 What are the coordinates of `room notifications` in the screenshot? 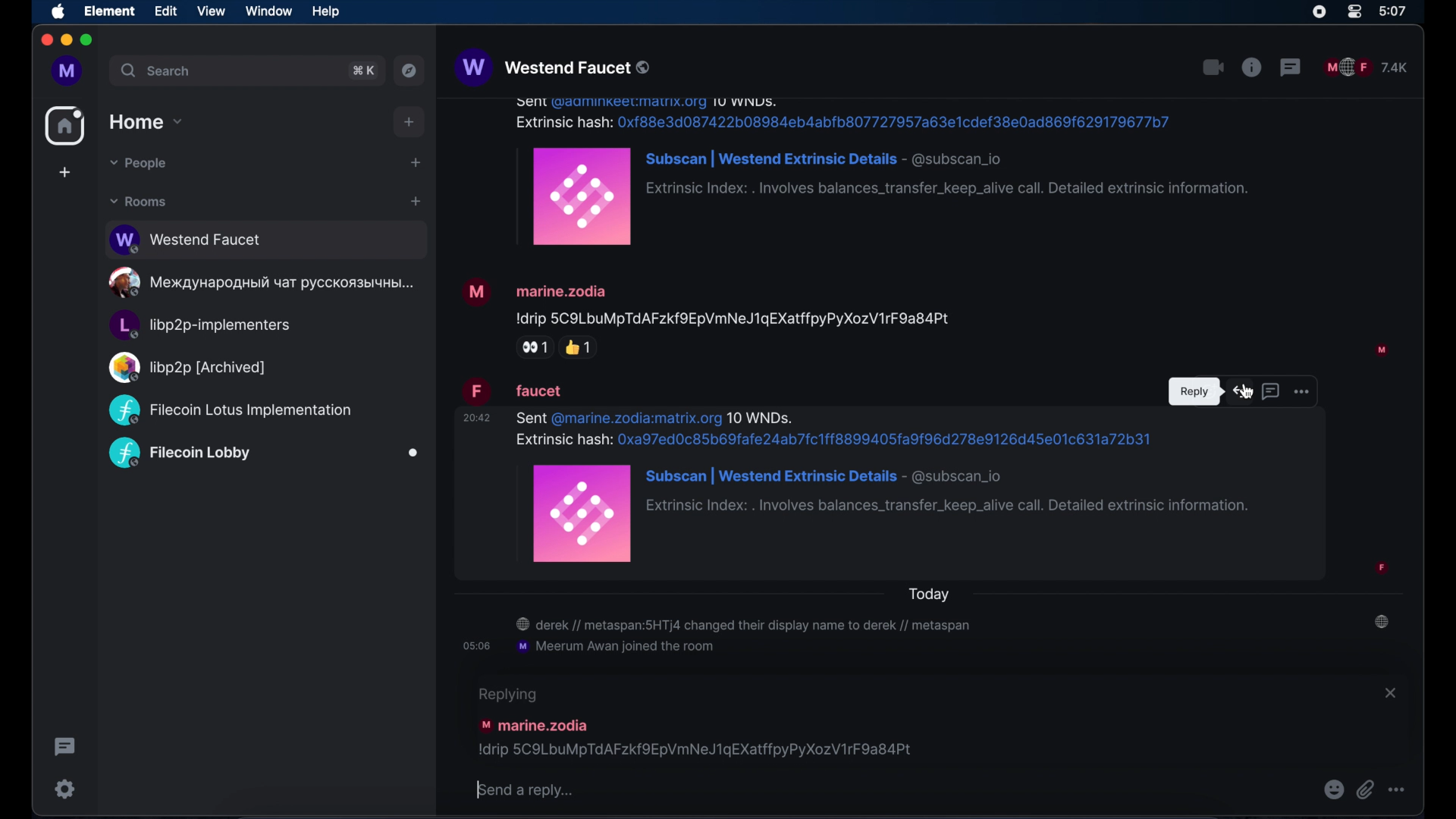 It's located at (932, 637).